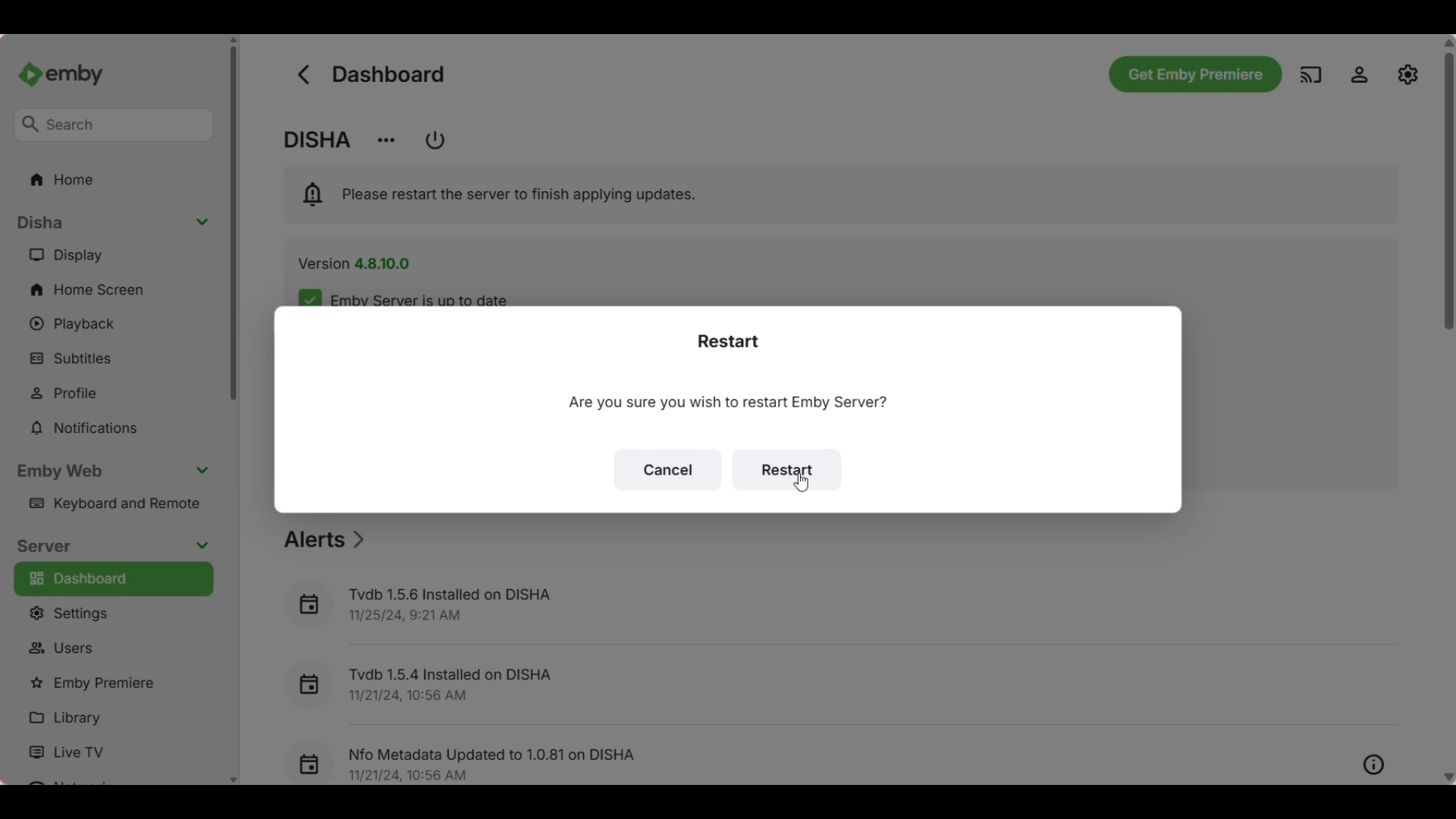 Image resolution: width=1456 pixels, height=819 pixels. Describe the element at coordinates (111, 684) in the screenshot. I see `Emby premiere` at that location.